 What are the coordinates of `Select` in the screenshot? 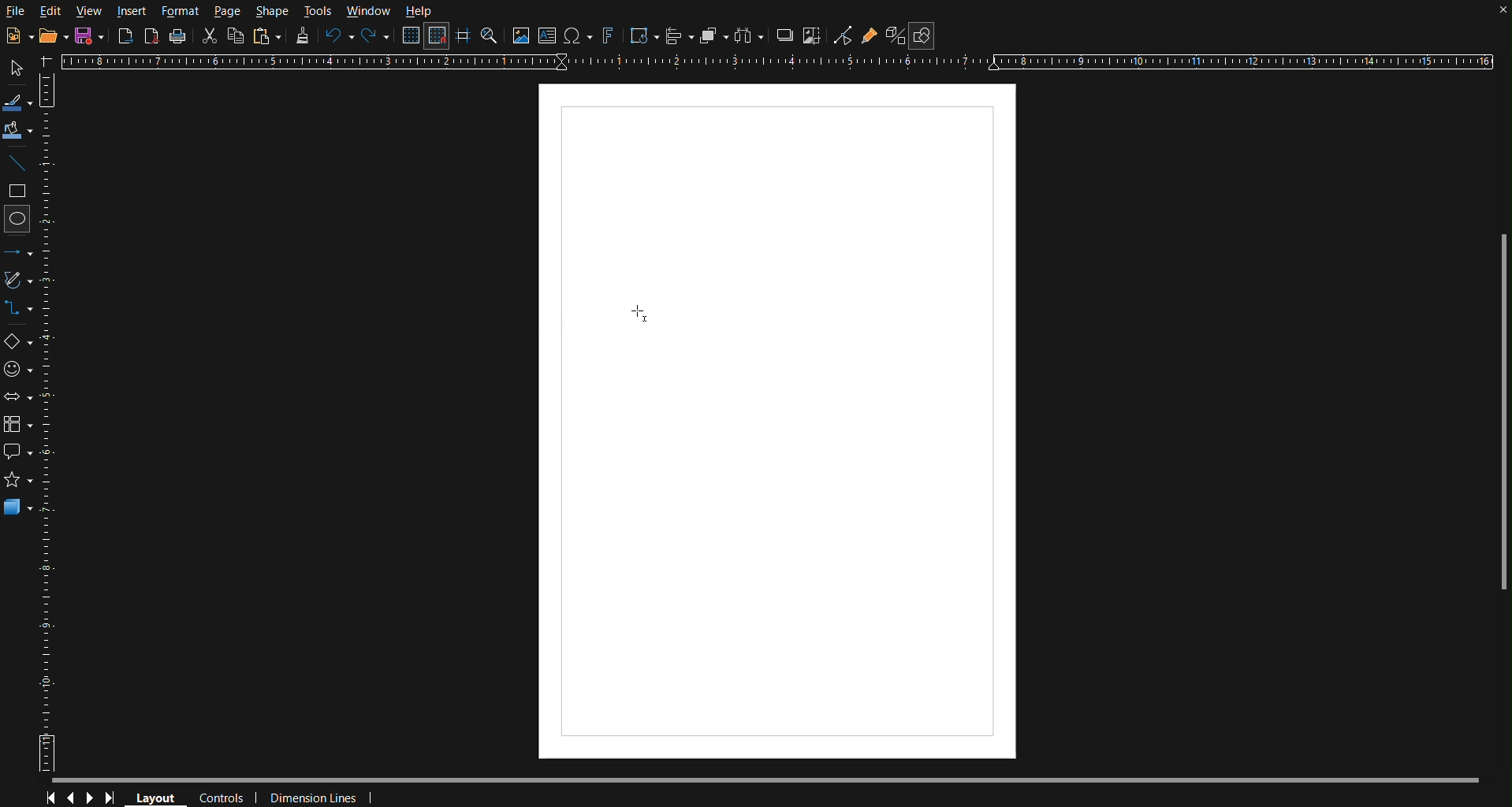 It's located at (19, 67).